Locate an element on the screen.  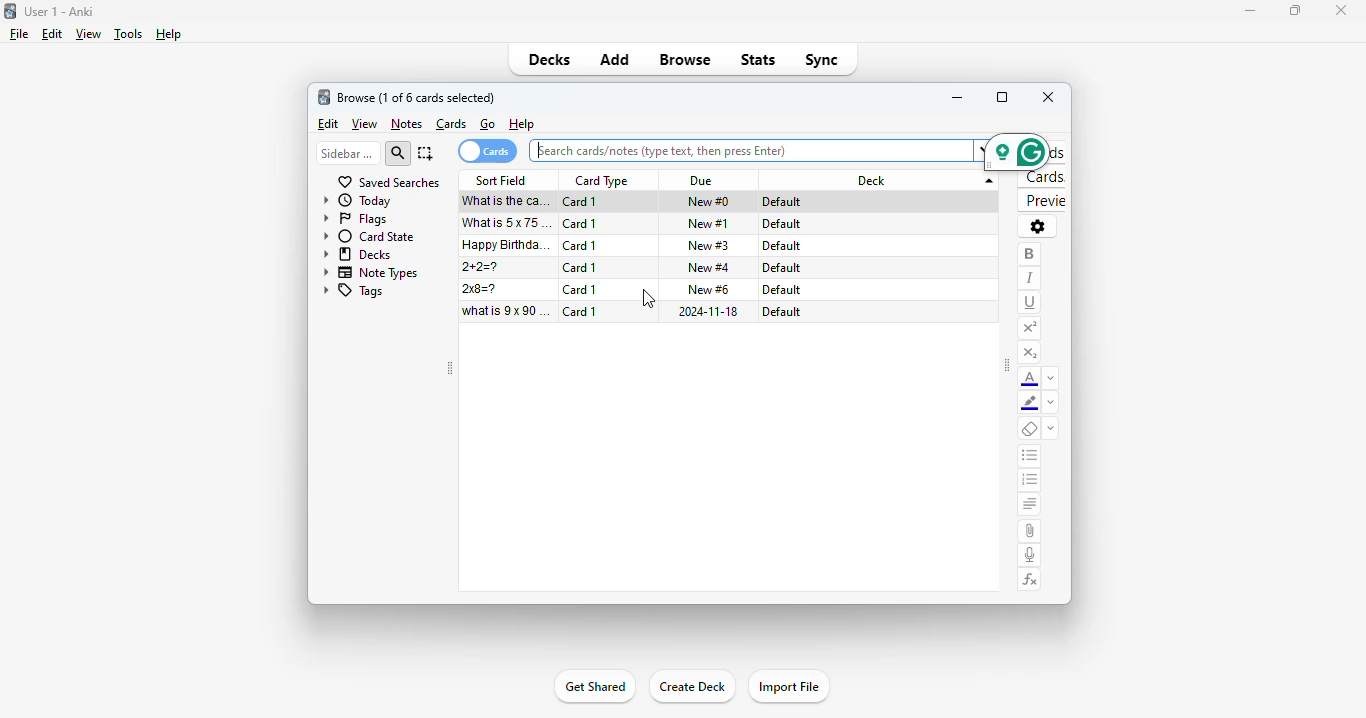
remove formatting is located at coordinates (1030, 430).